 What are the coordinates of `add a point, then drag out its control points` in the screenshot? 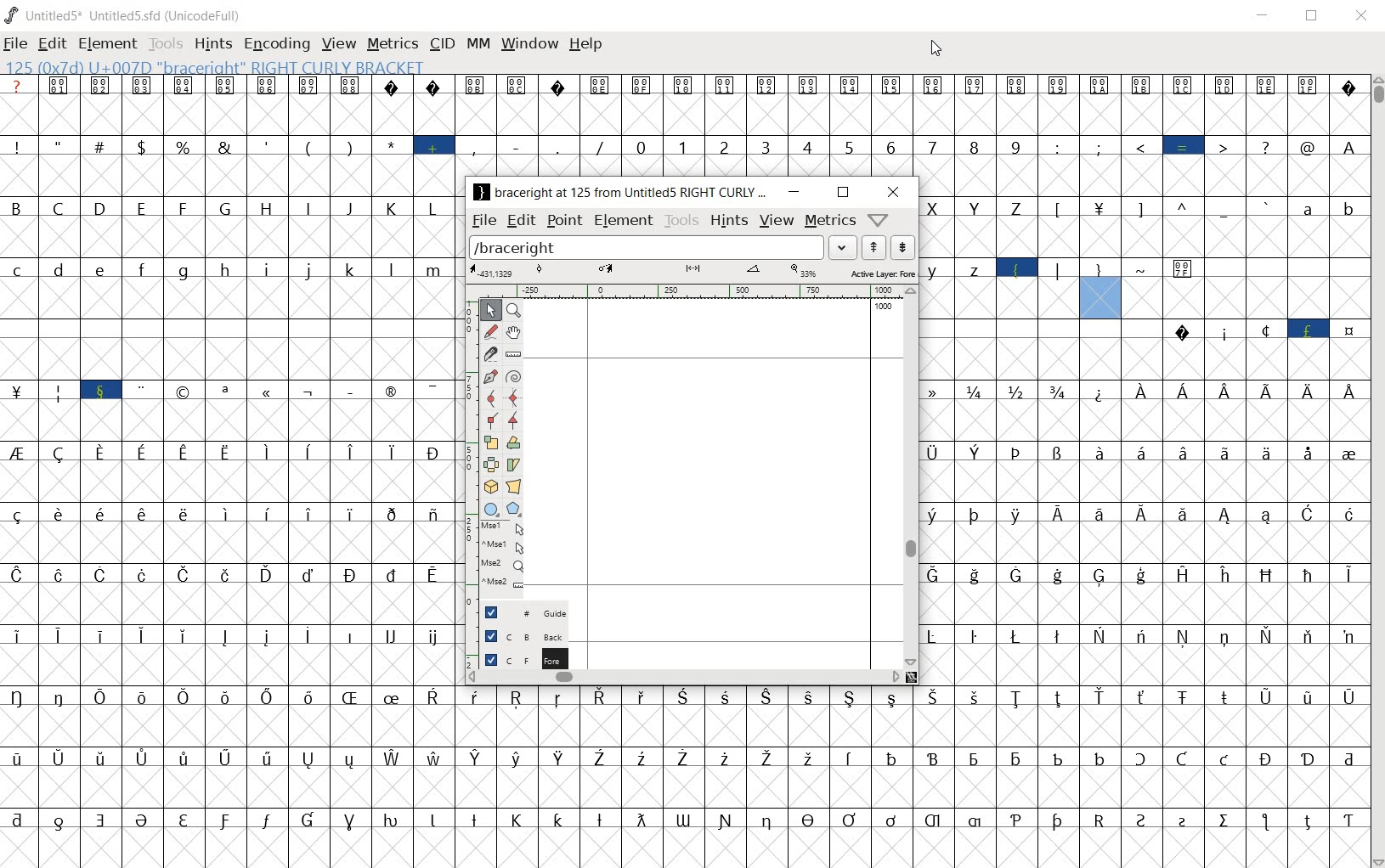 It's located at (488, 378).